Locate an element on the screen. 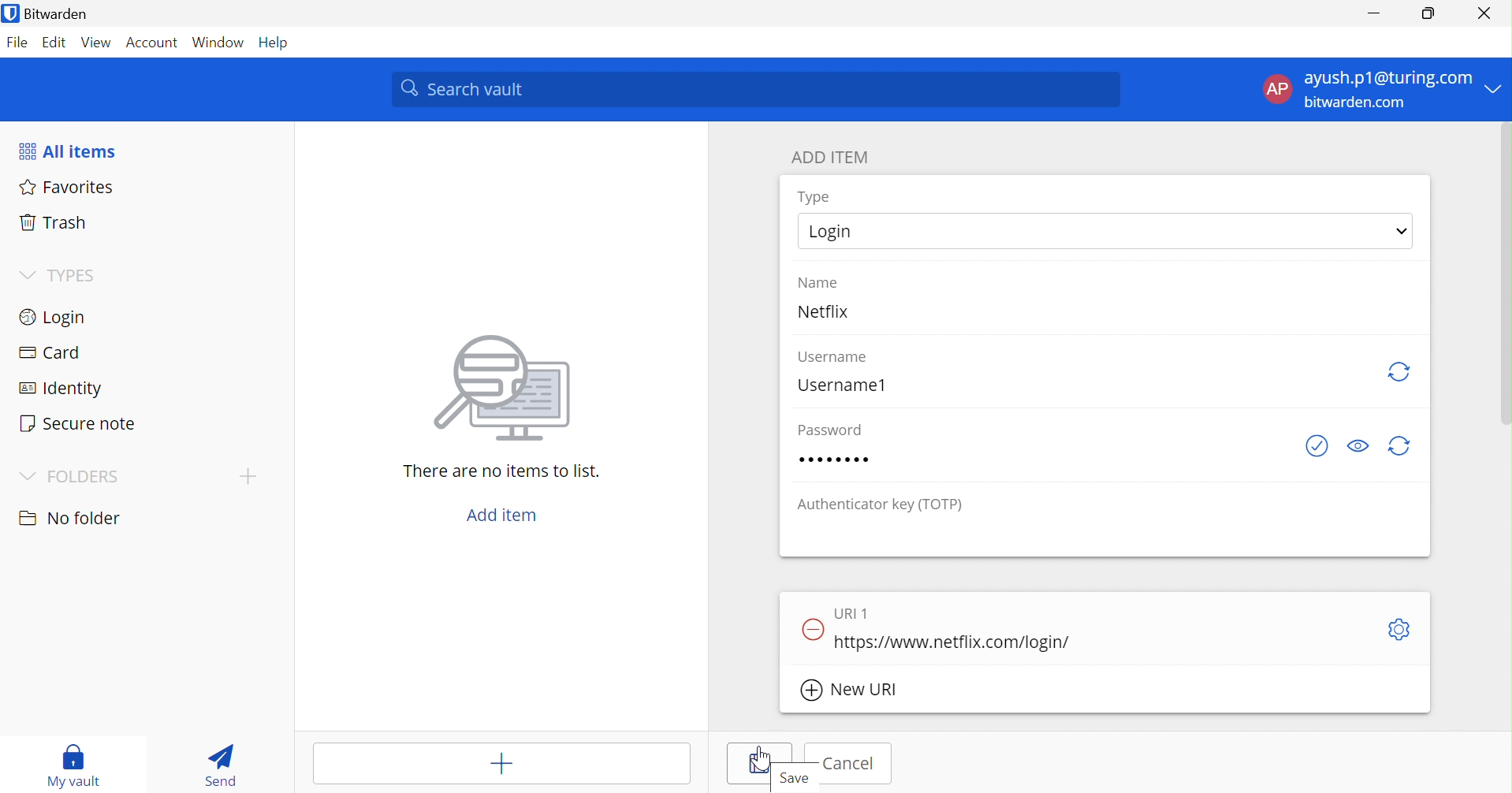 Image resolution: width=1512 pixels, height=793 pixels. New URl is located at coordinates (851, 689).